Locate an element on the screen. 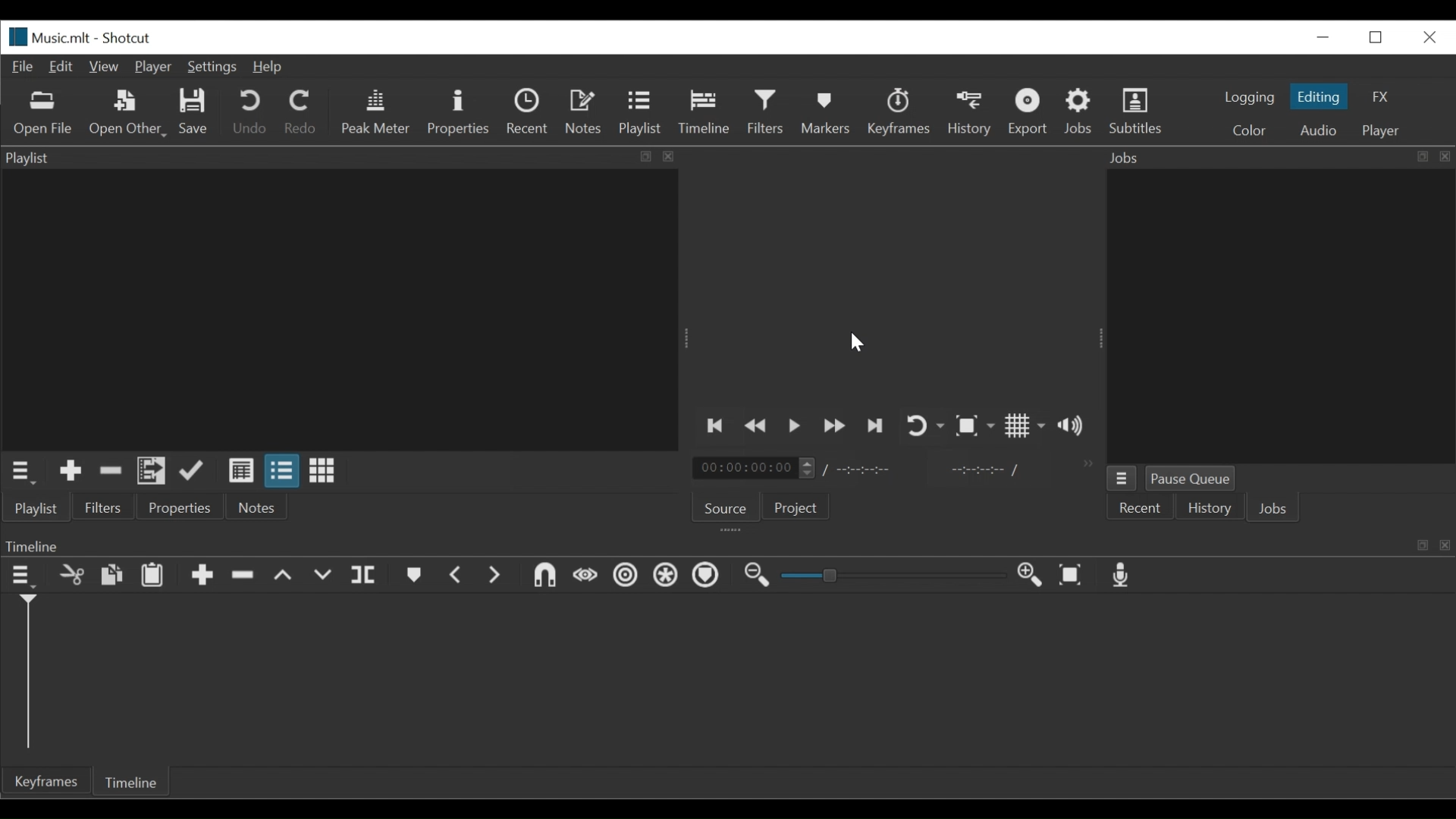 The image size is (1456, 819). Play backward quickly is located at coordinates (757, 428).